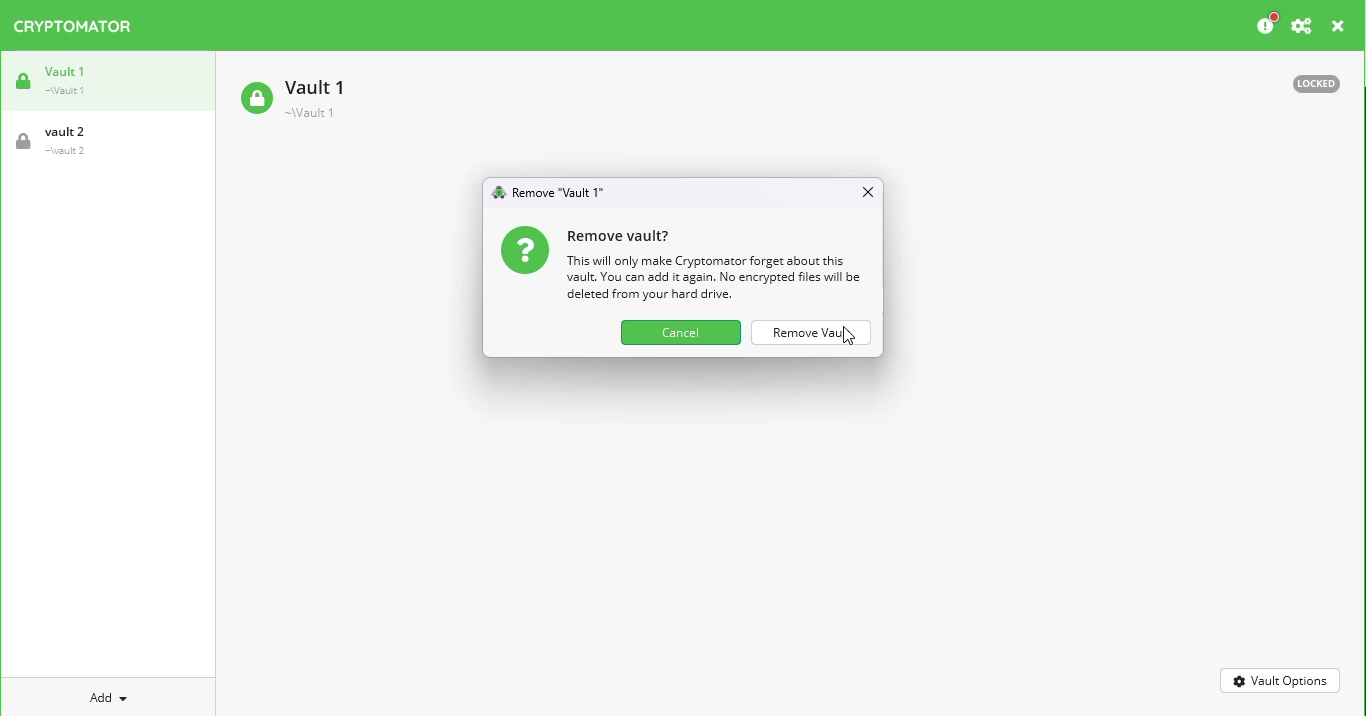 The width and height of the screenshot is (1366, 716). Describe the element at coordinates (813, 332) in the screenshot. I see `remove vault` at that location.